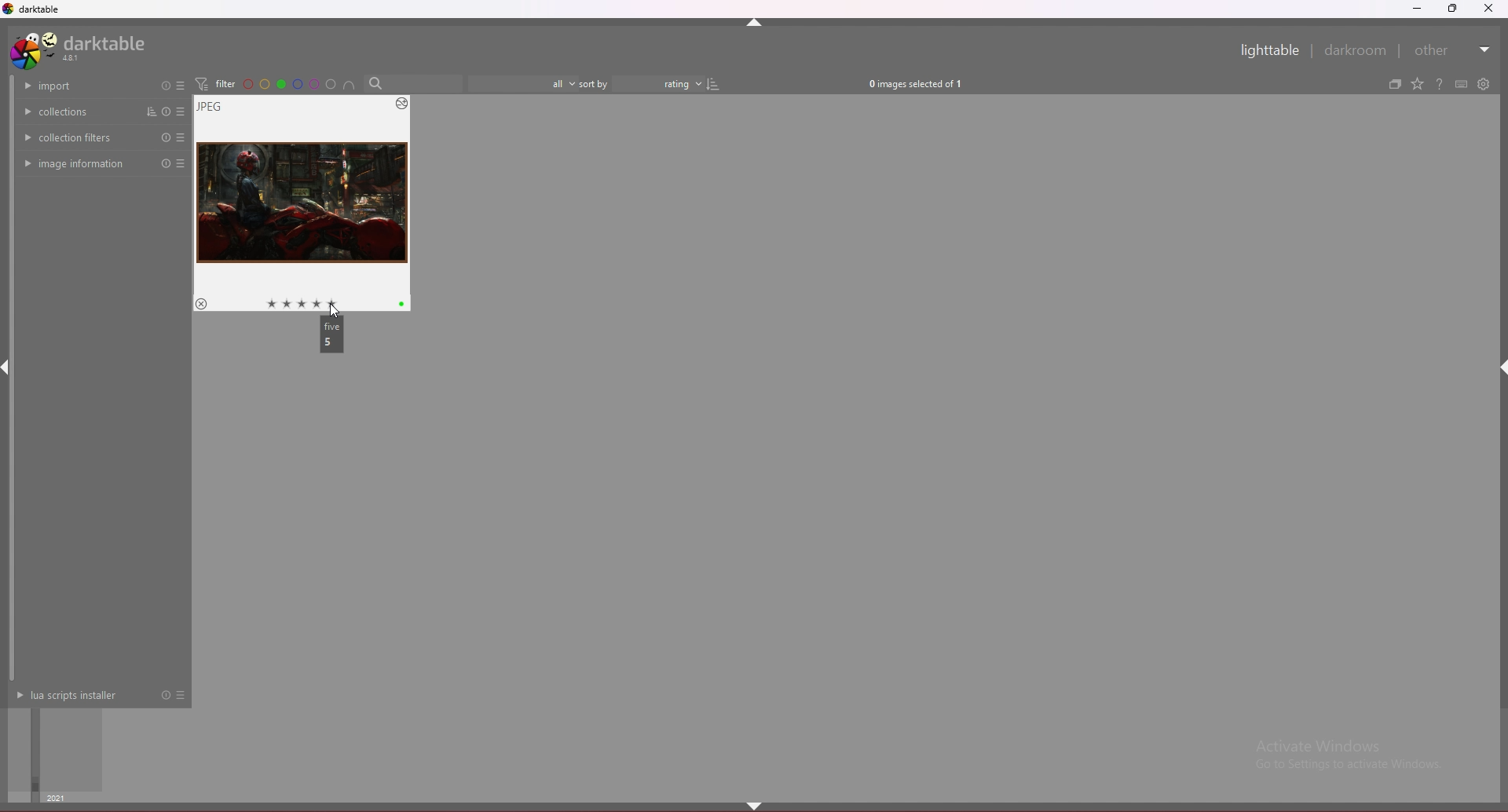  What do you see at coordinates (291, 84) in the screenshot?
I see `color filter` at bounding box center [291, 84].